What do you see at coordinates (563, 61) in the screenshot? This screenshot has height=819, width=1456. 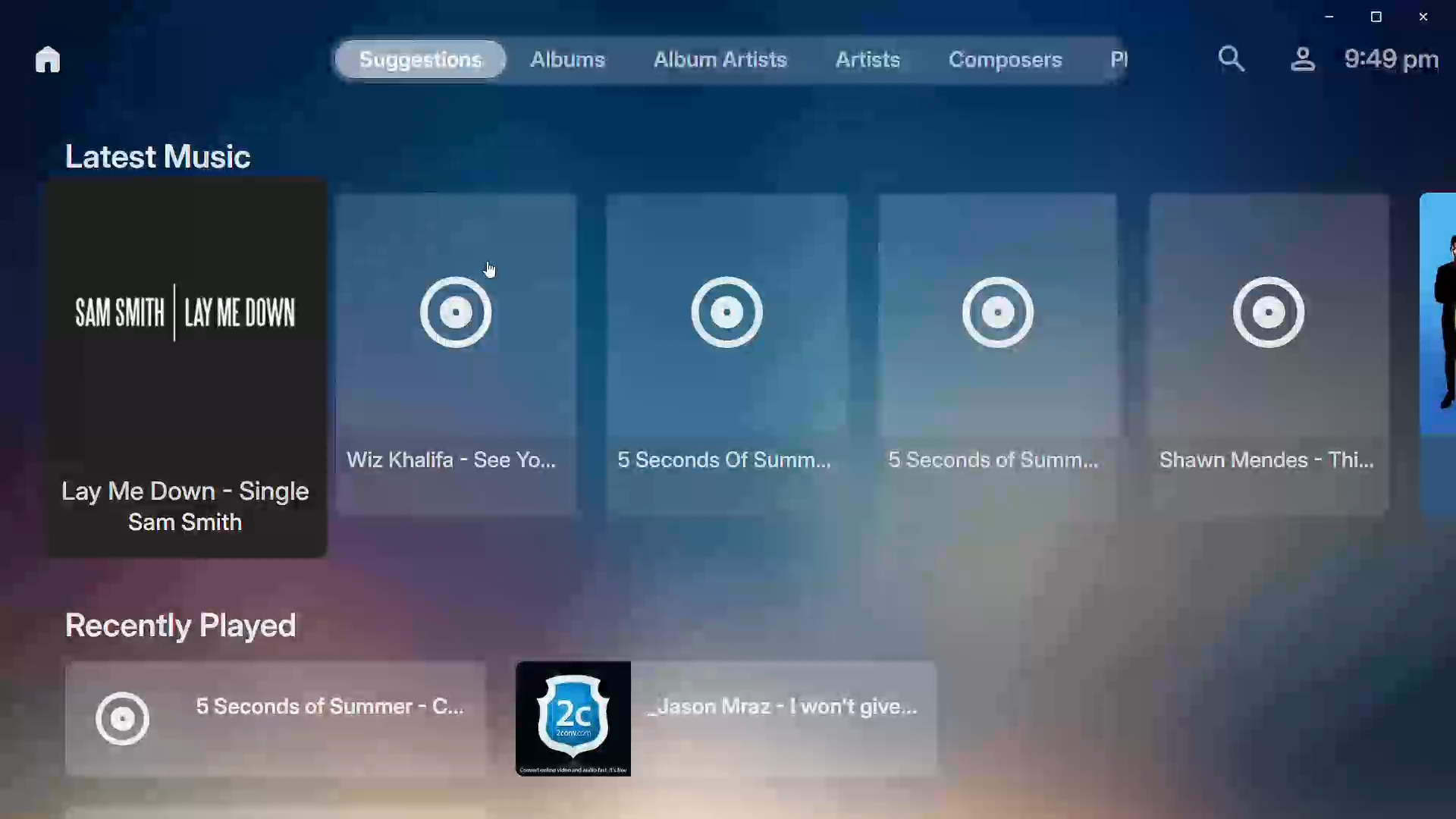 I see `Albums` at bounding box center [563, 61].